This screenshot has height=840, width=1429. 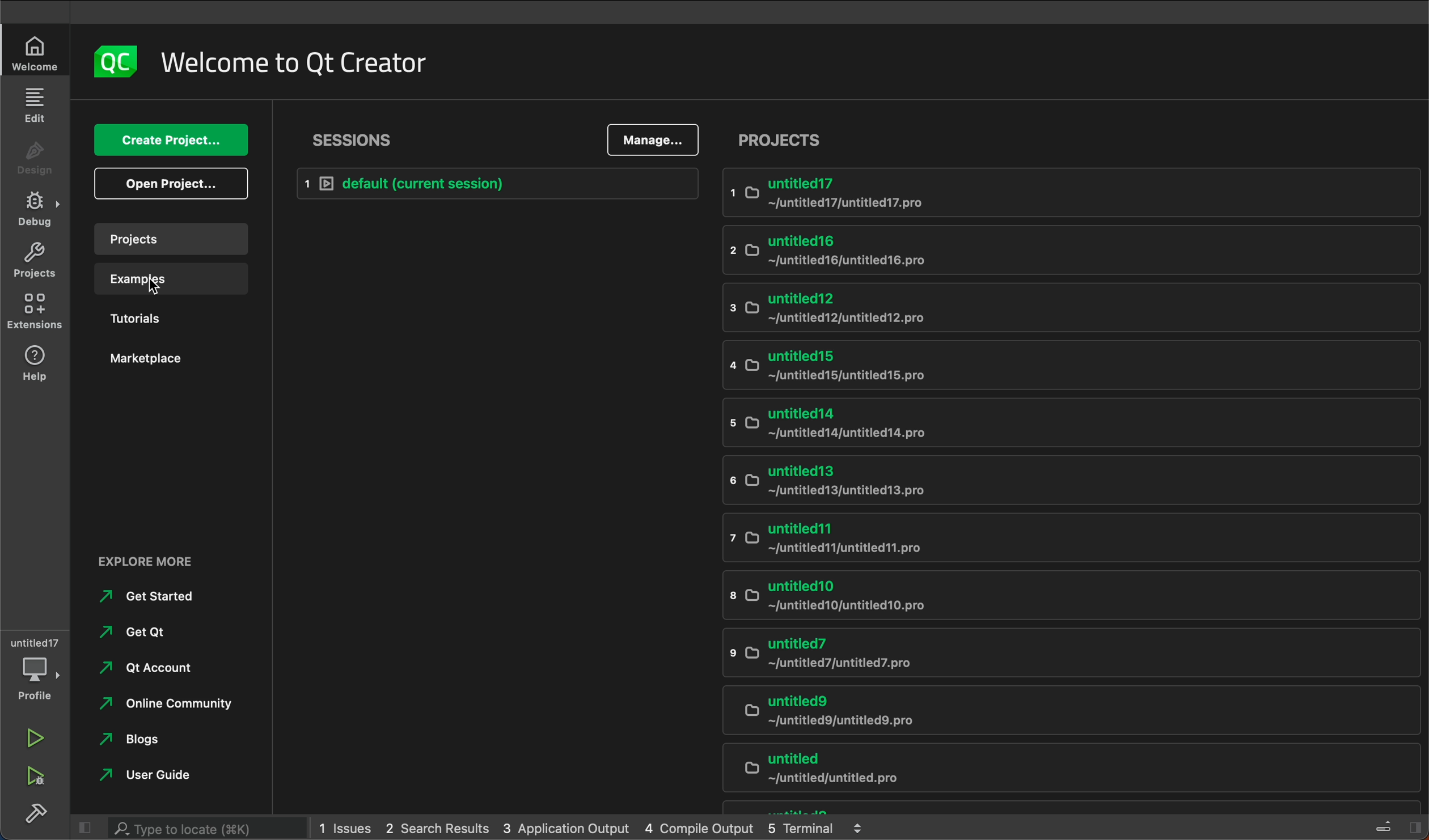 What do you see at coordinates (174, 280) in the screenshot?
I see `examples` at bounding box center [174, 280].